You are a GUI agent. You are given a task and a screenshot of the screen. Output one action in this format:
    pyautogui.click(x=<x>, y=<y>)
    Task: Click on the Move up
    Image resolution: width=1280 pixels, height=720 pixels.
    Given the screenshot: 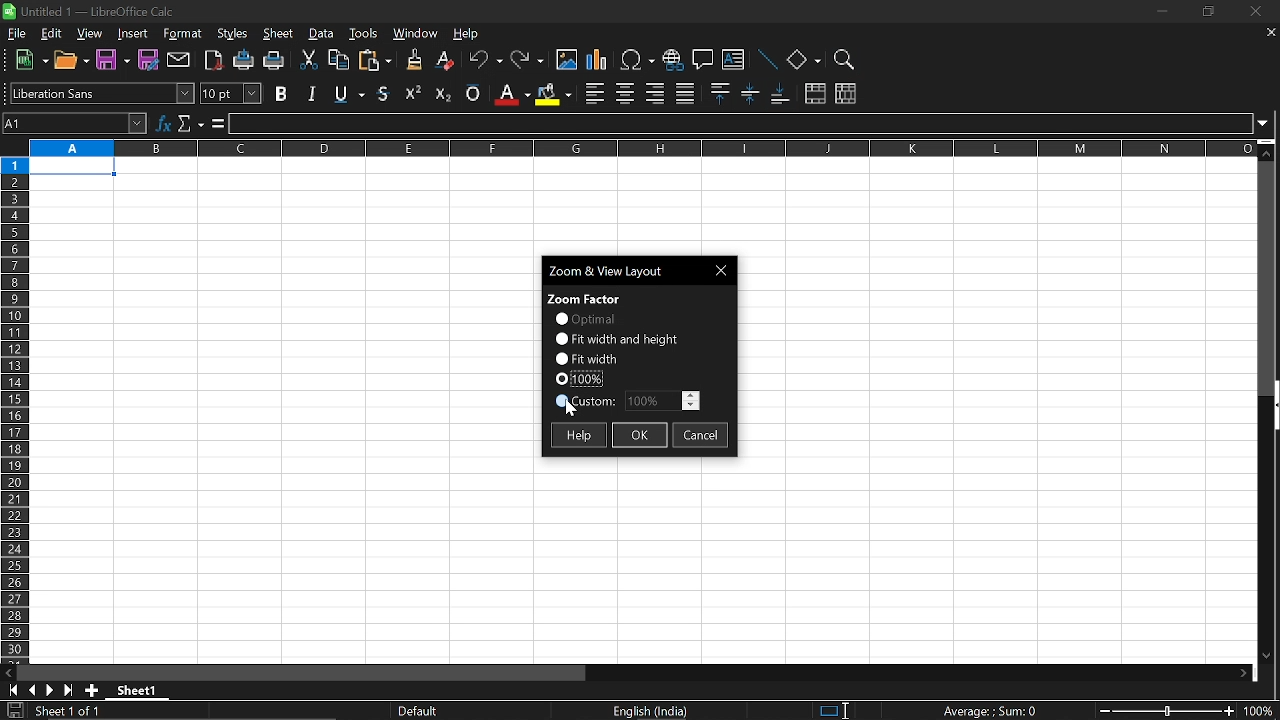 What is the action you would take?
    pyautogui.click(x=1267, y=153)
    